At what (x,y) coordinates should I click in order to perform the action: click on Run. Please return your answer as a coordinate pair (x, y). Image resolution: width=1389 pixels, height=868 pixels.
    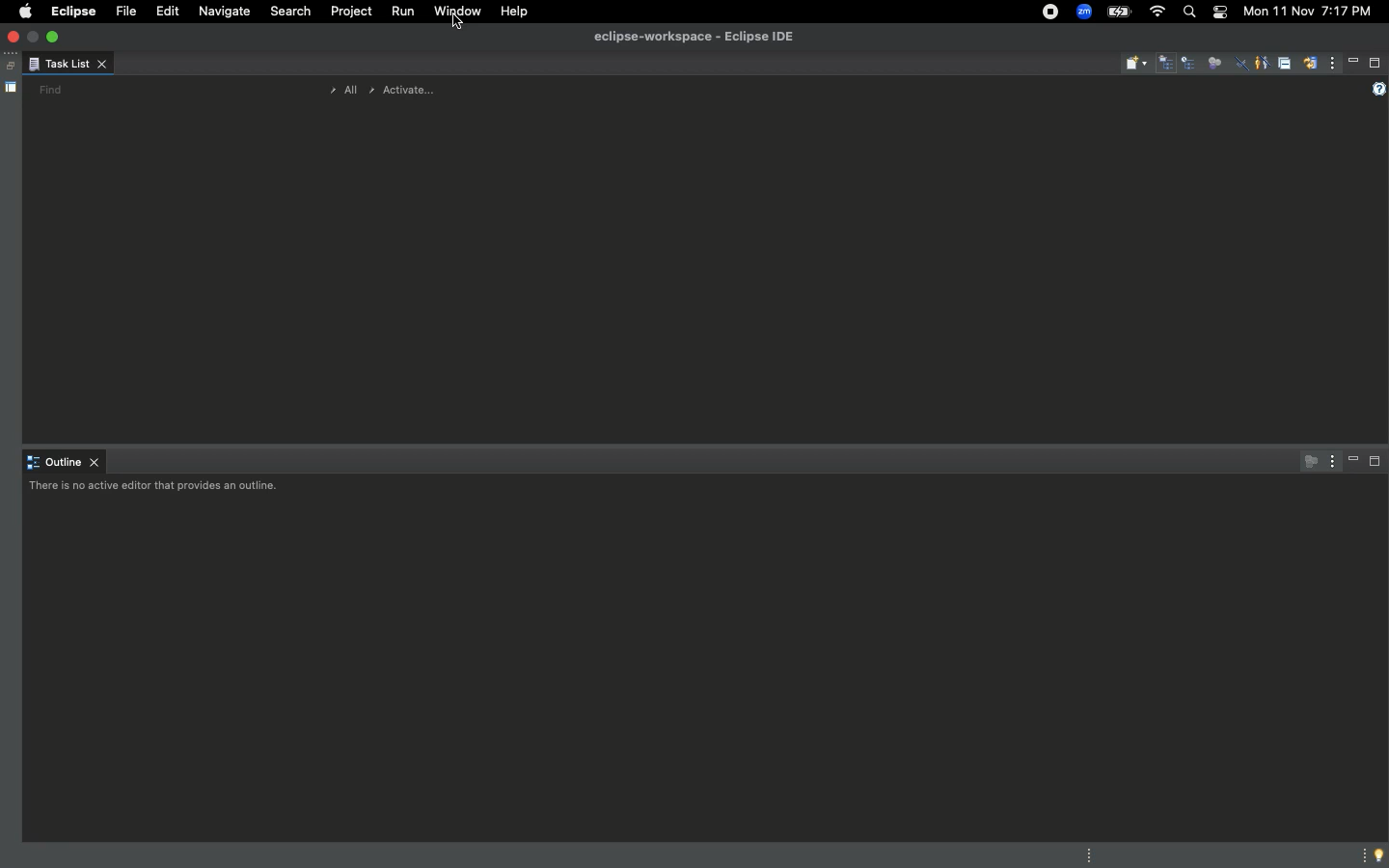
    Looking at the image, I should click on (400, 13).